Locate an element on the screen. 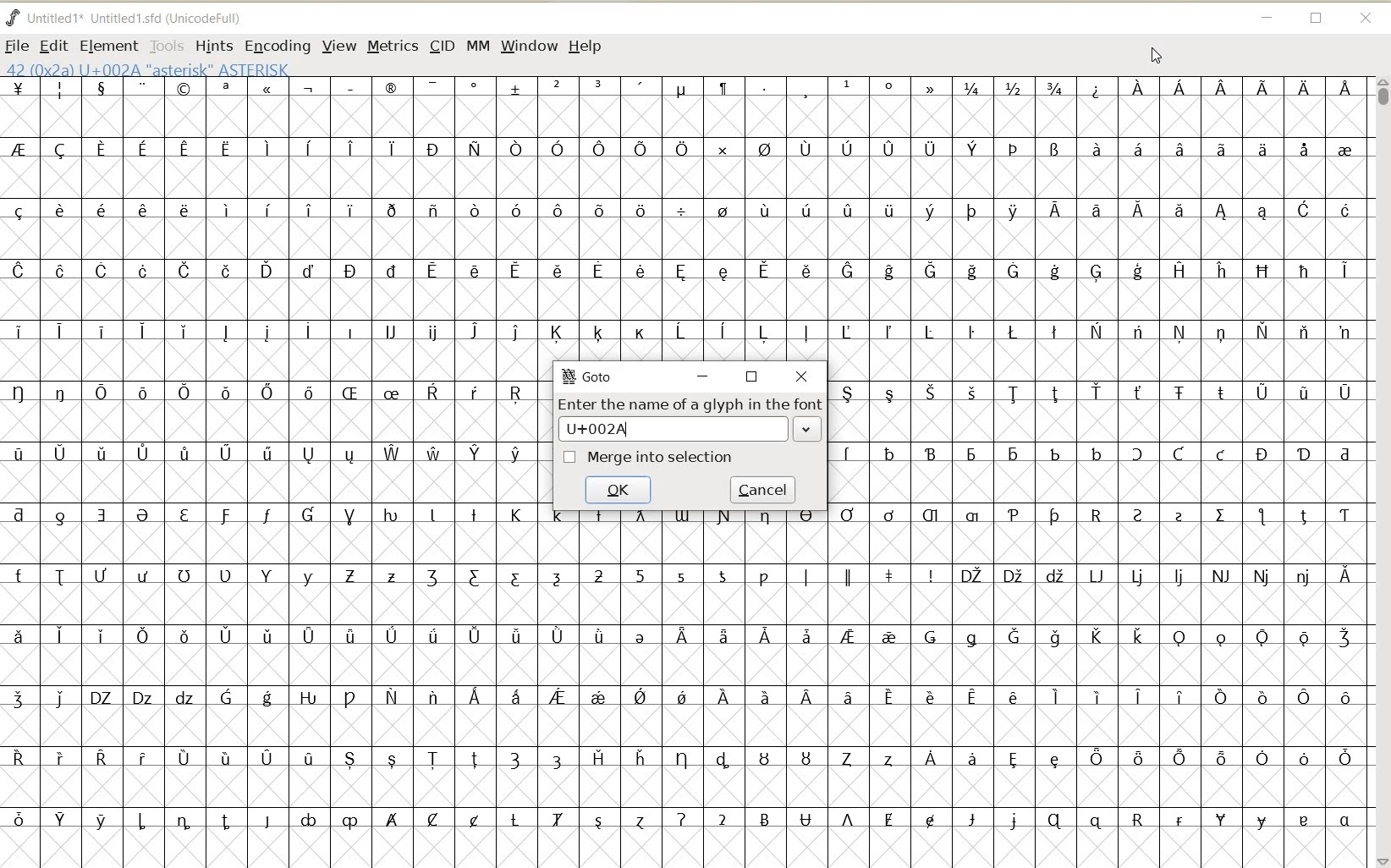 The image size is (1391, 868). CURSOR is located at coordinates (1156, 57).